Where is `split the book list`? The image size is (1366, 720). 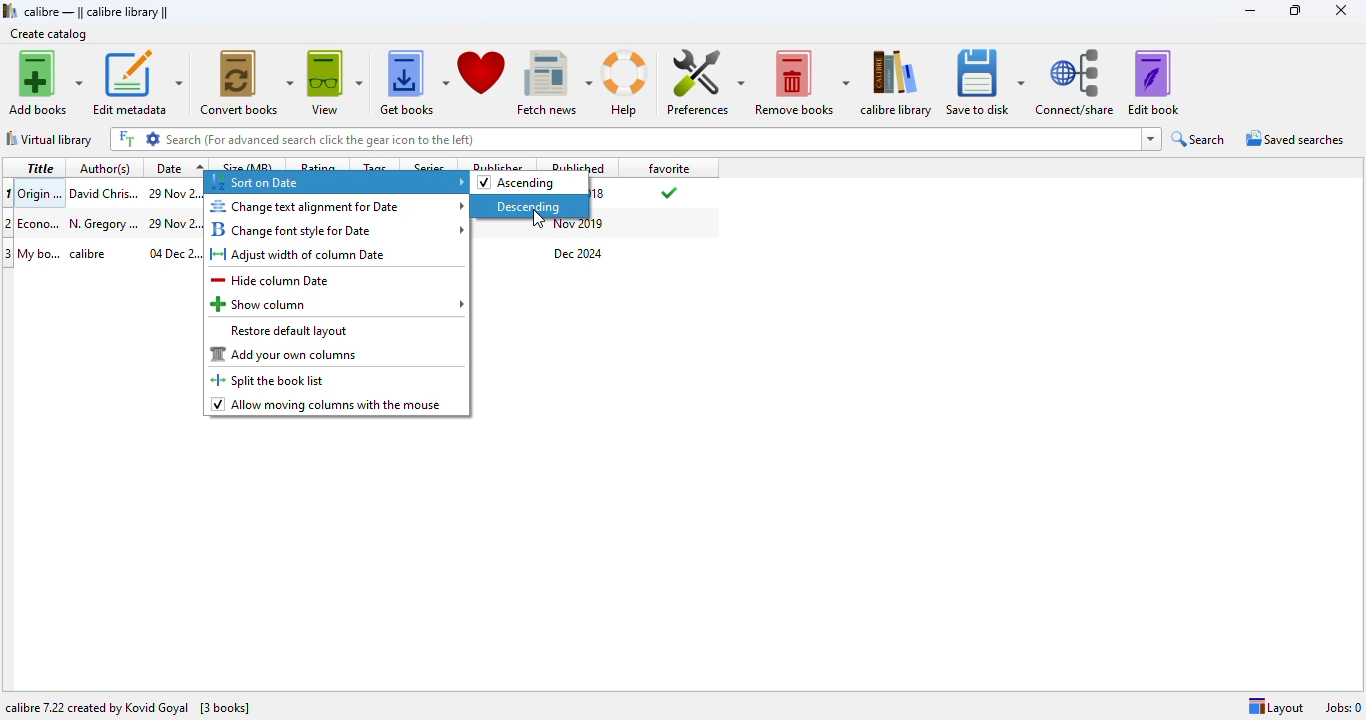
split the book list is located at coordinates (271, 380).